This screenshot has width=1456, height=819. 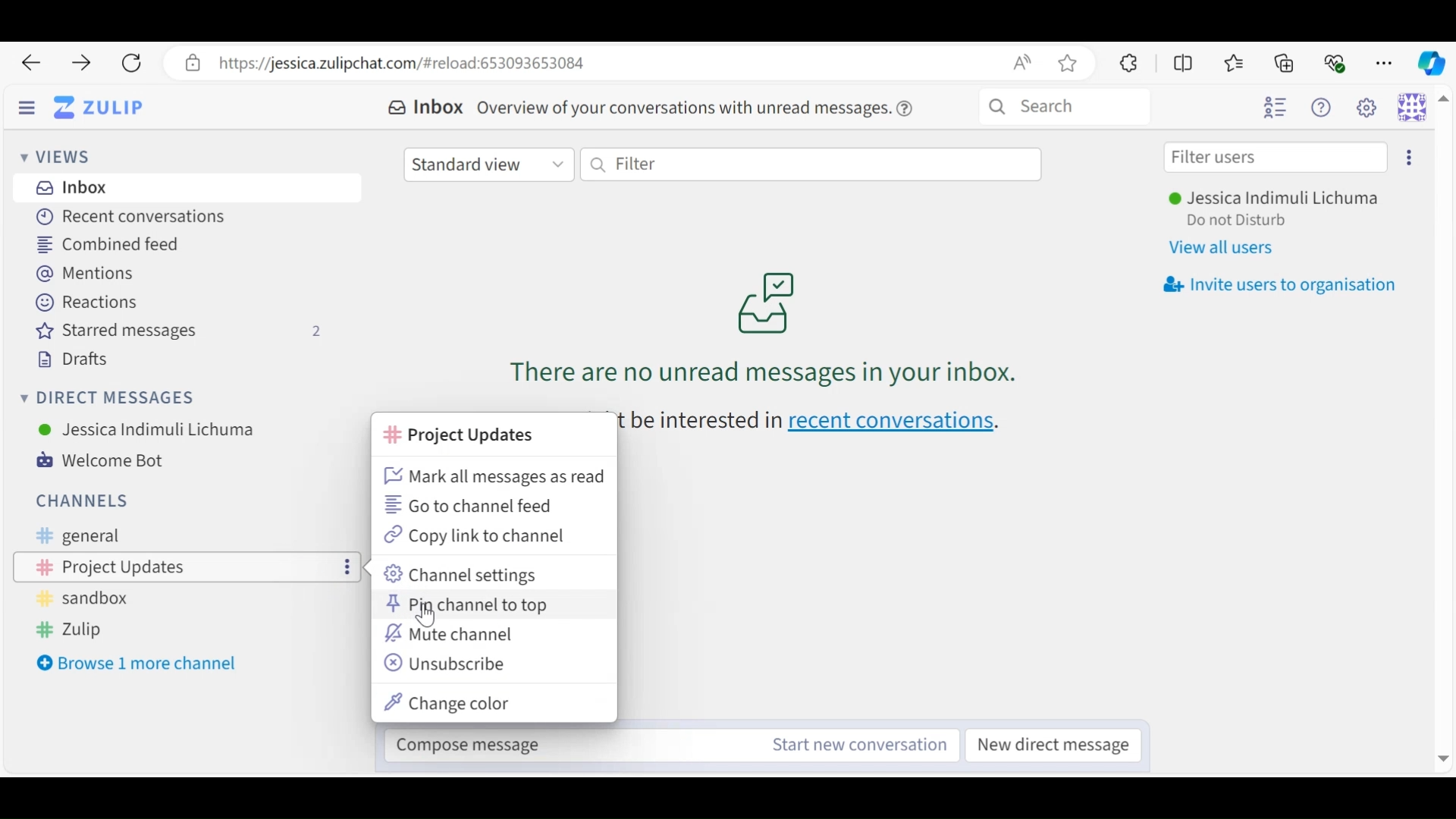 What do you see at coordinates (1126, 62) in the screenshot?
I see `Extension` at bounding box center [1126, 62].